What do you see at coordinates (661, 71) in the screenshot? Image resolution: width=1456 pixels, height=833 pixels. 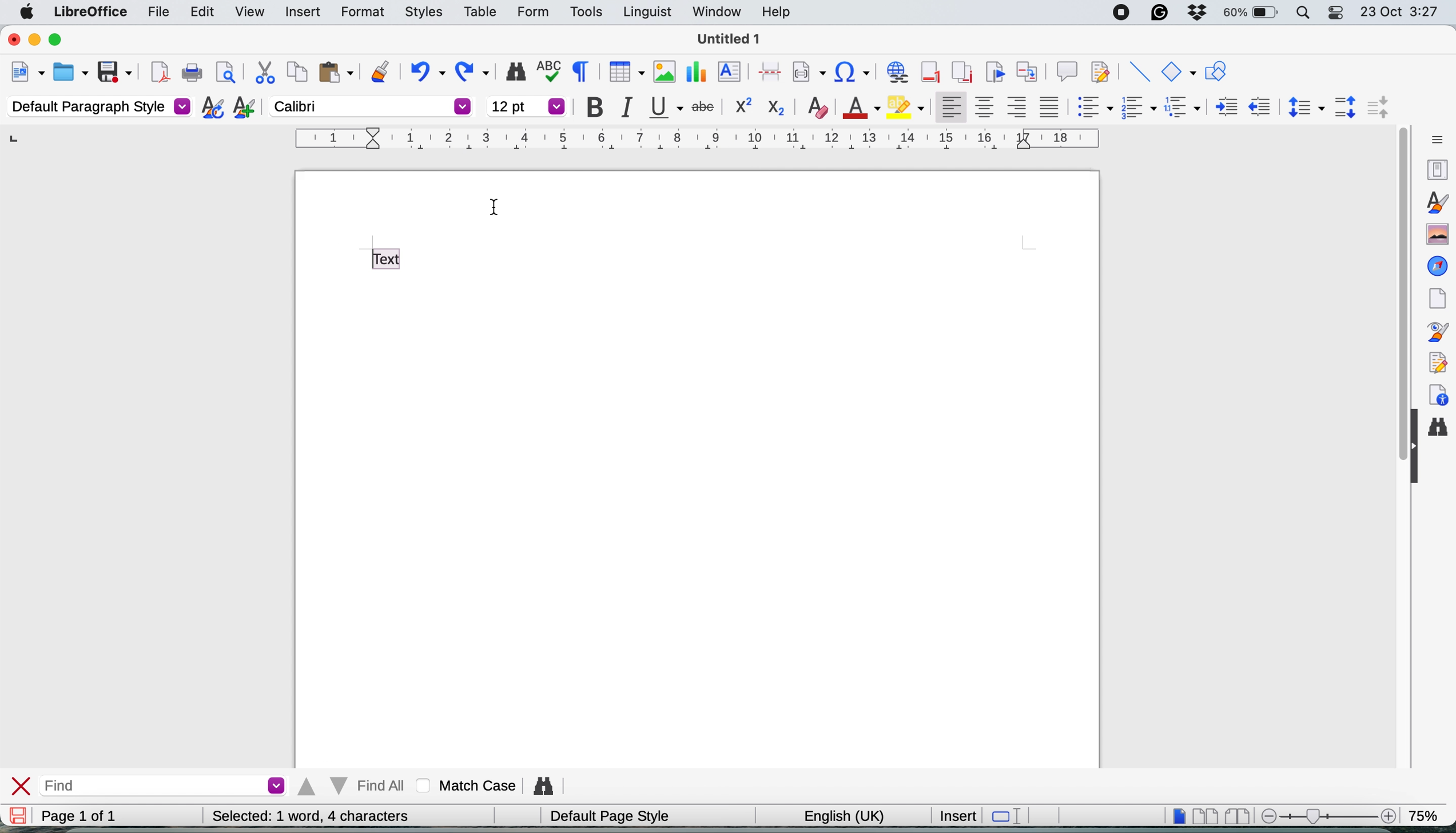 I see `insert image` at bounding box center [661, 71].